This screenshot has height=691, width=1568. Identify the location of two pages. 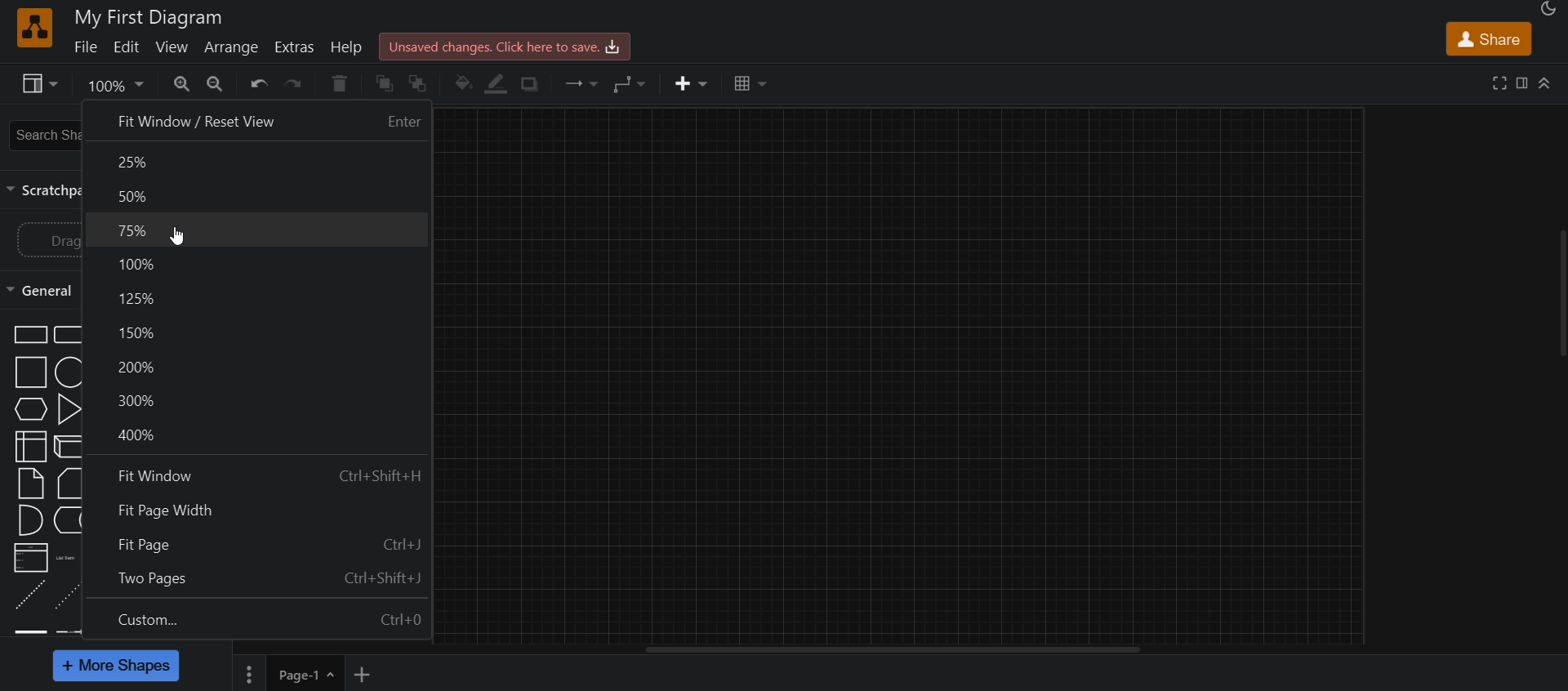
(263, 577).